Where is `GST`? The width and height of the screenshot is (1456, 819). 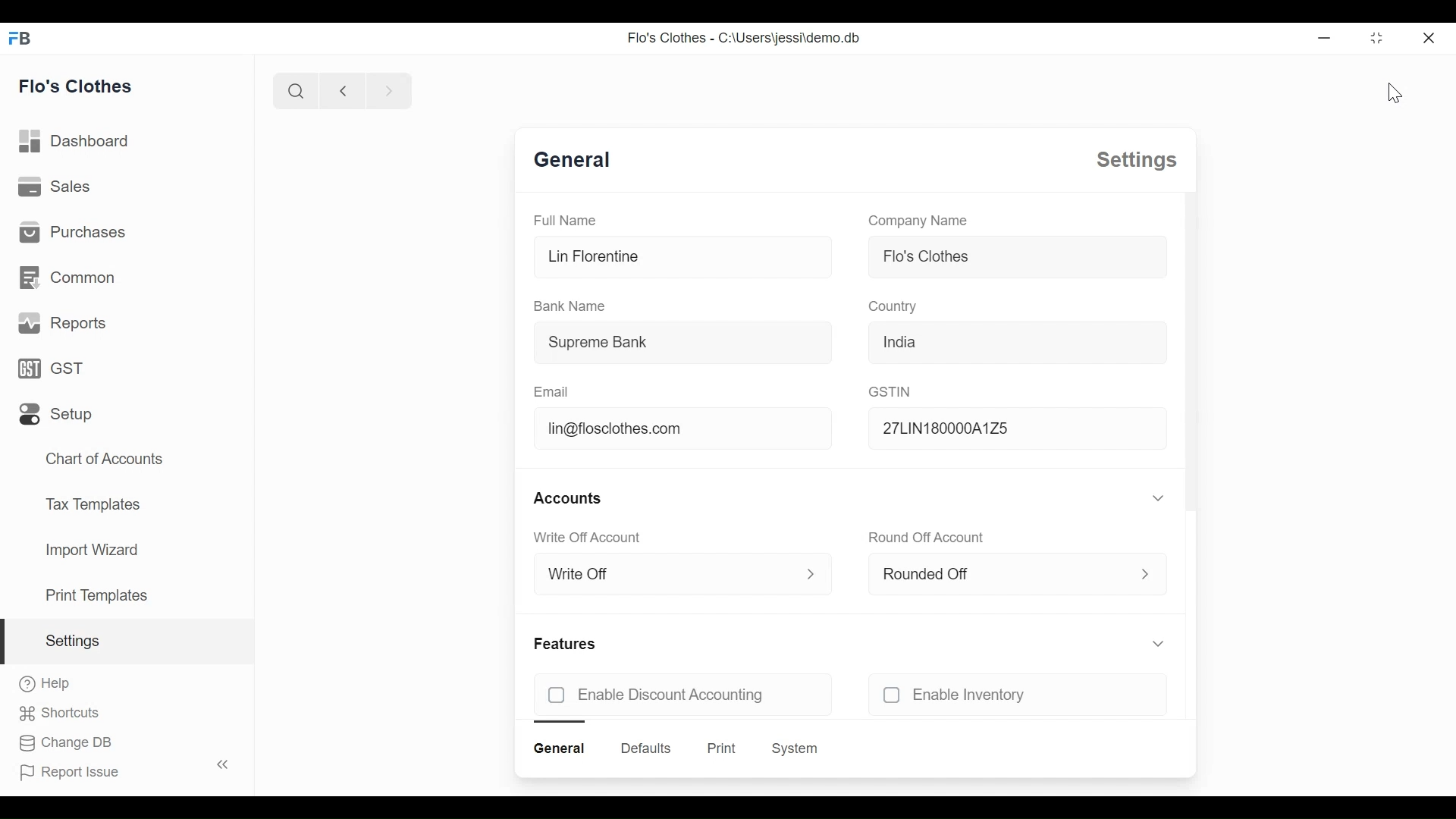 GST is located at coordinates (50, 368).